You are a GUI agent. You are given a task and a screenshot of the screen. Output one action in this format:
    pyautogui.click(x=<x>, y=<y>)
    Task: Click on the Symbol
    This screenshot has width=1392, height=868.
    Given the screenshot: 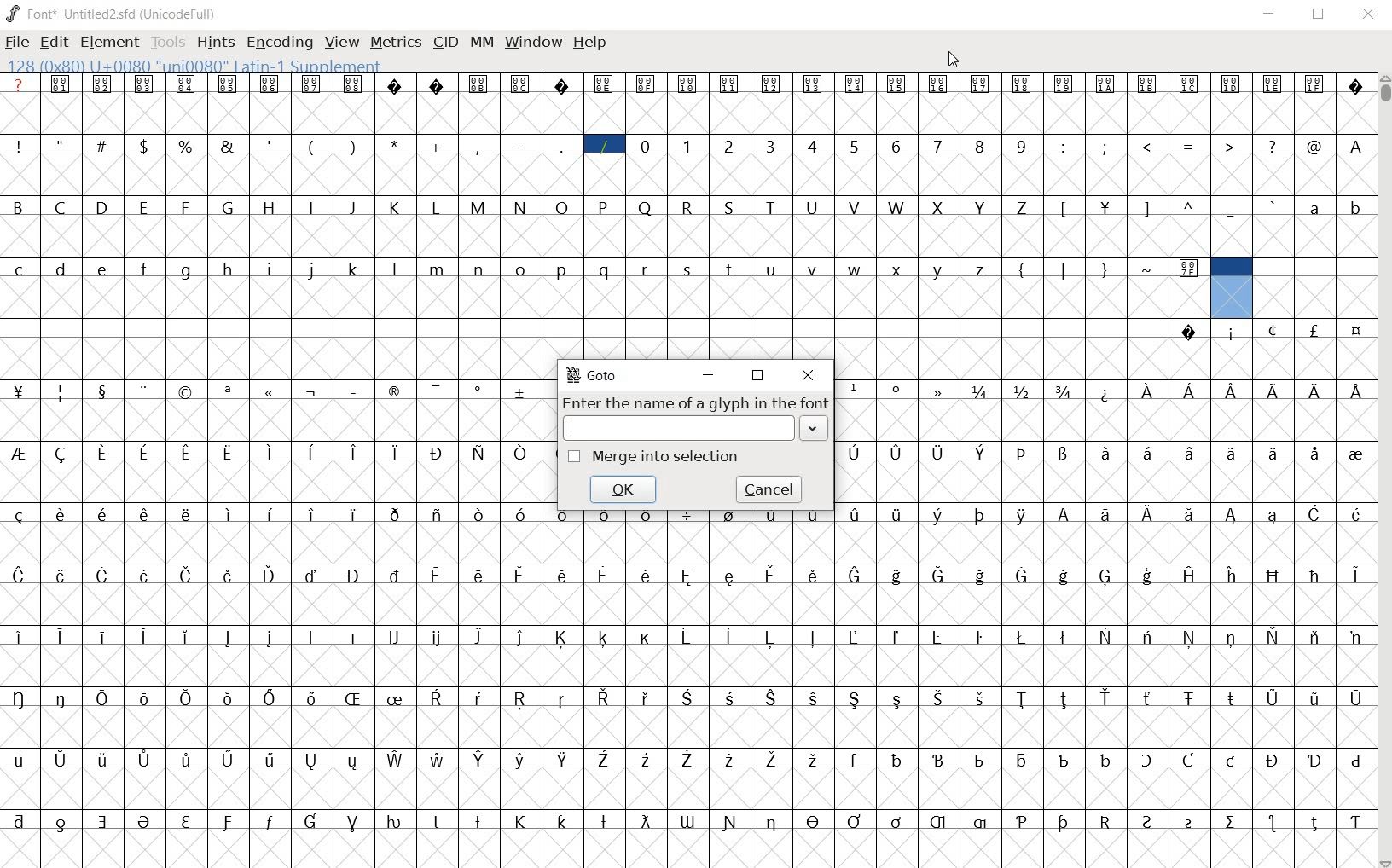 What is the action you would take?
    pyautogui.click(x=436, y=85)
    